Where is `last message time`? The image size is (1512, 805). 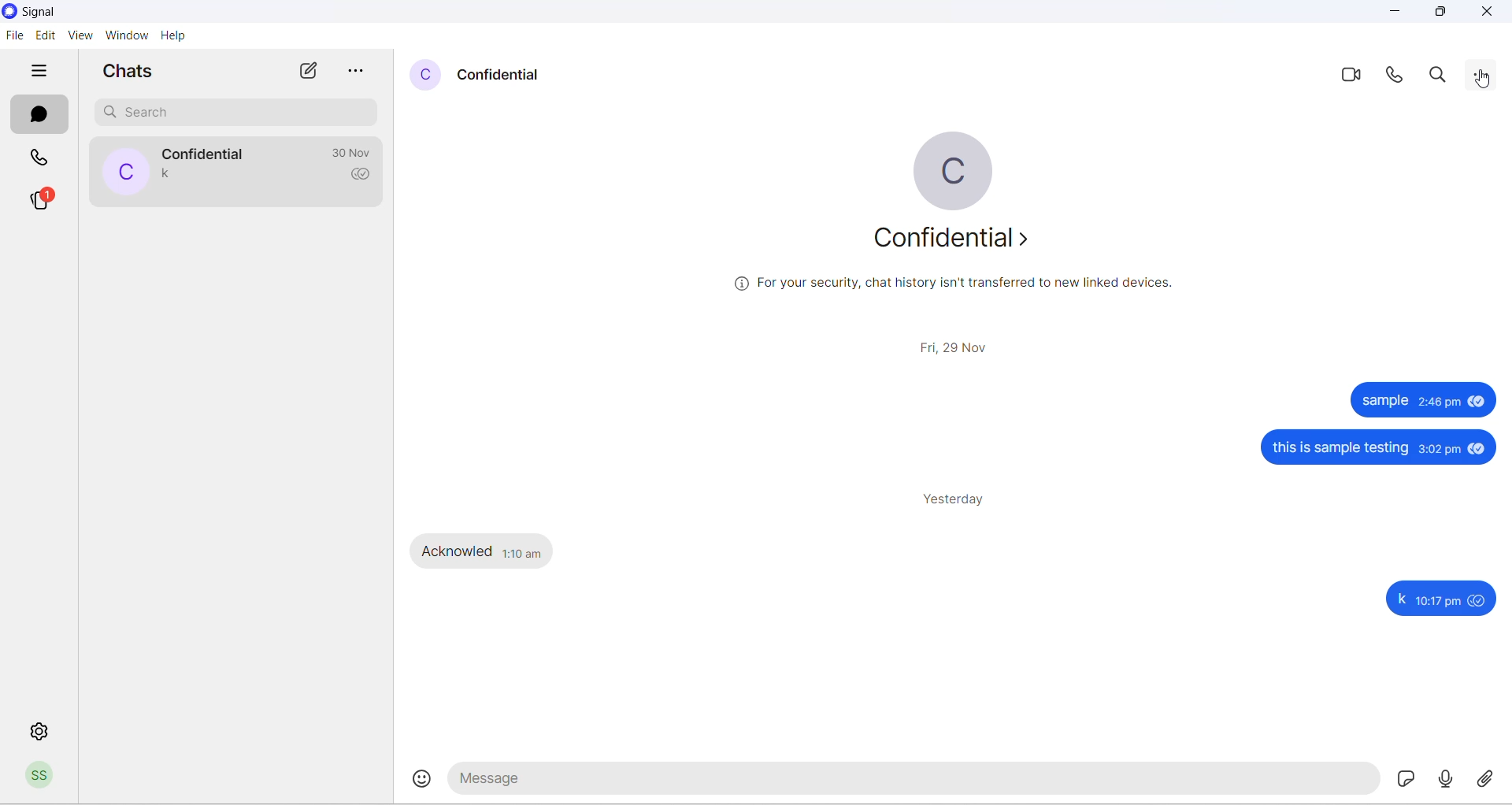
last message time is located at coordinates (347, 152).